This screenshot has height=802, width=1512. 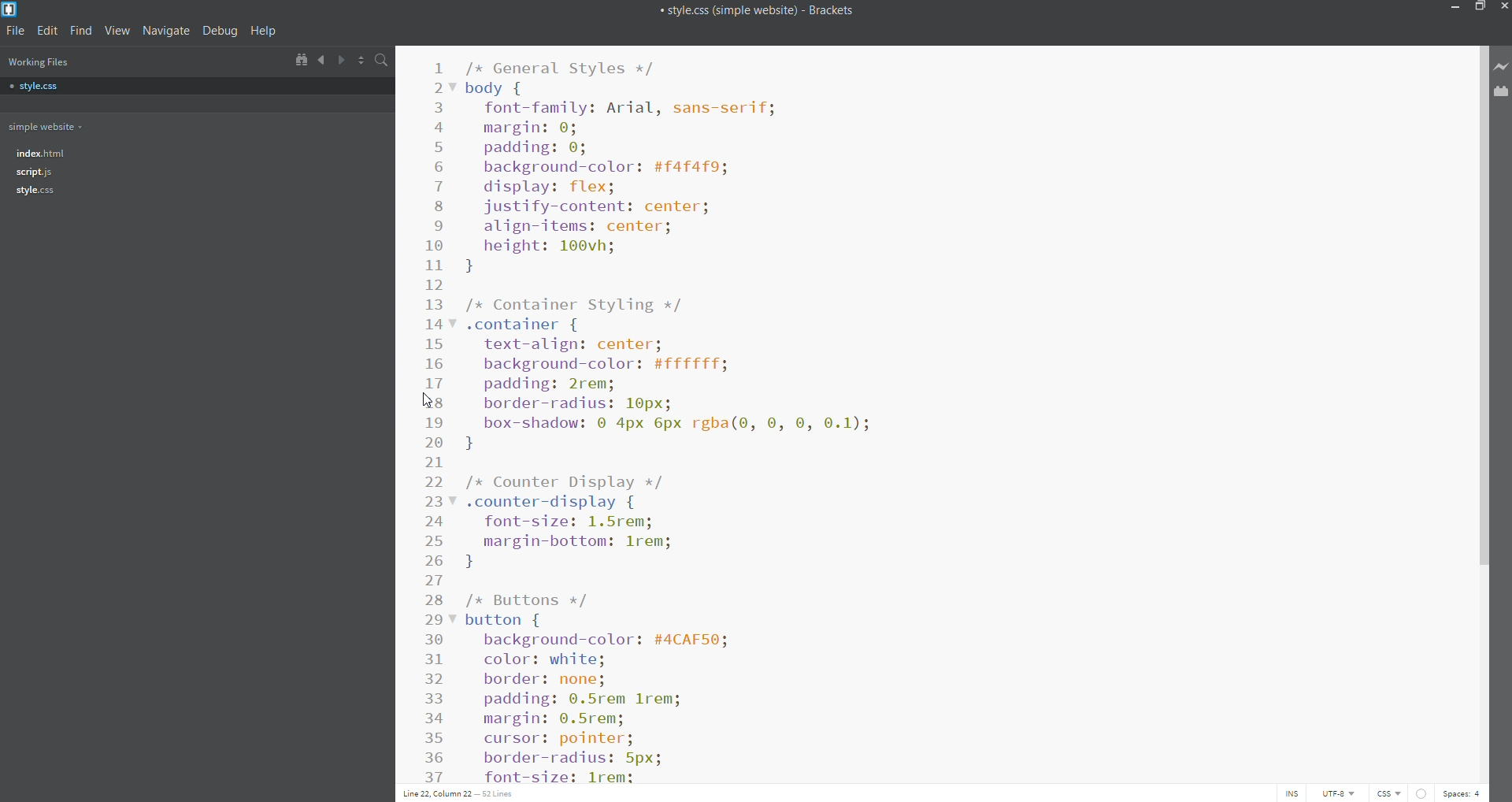 I want to click on Navigate, so click(x=167, y=32).